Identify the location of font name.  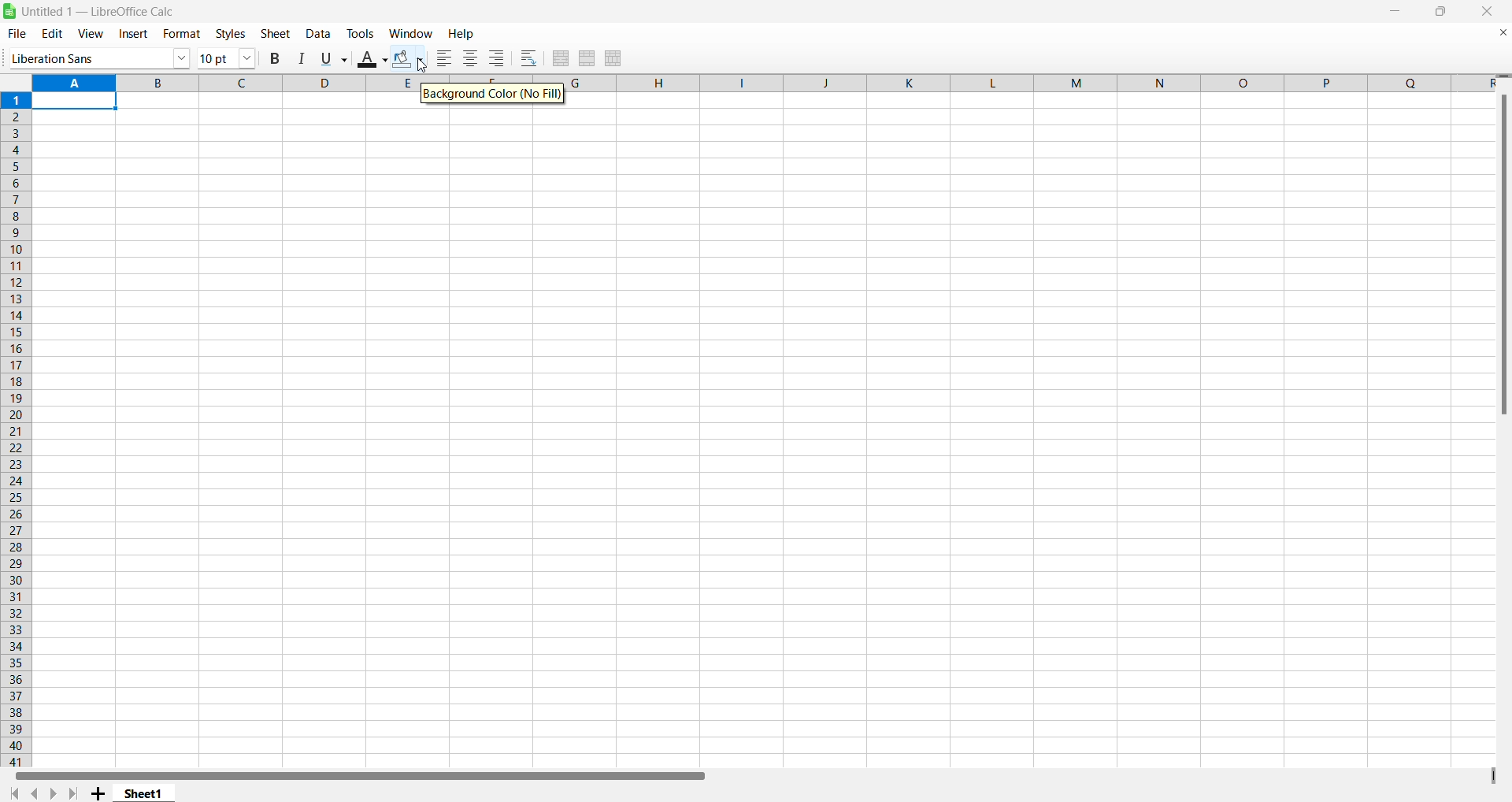
(98, 57).